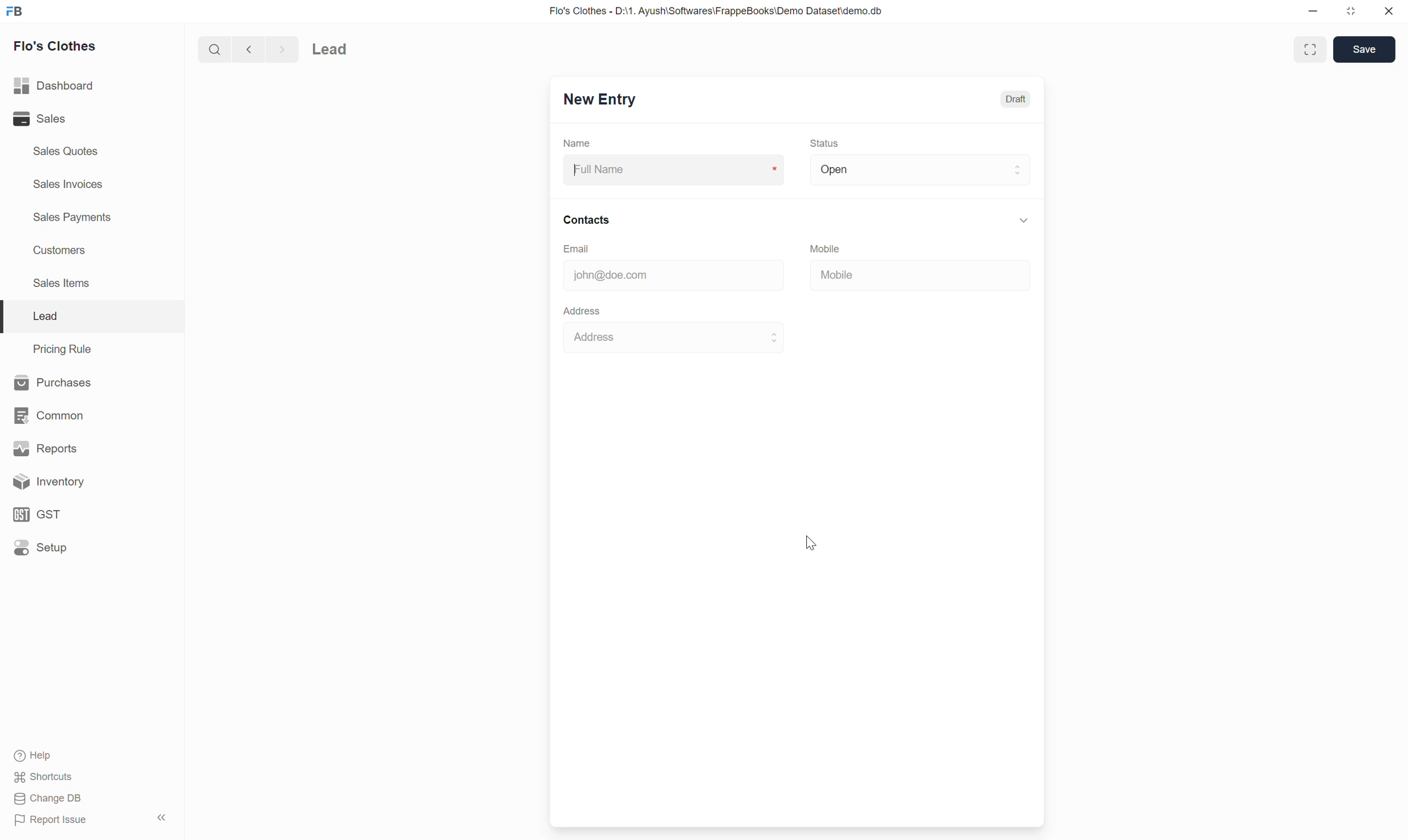 Image resolution: width=1408 pixels, height=840 pixels. I want to click on Hide sidebar, so click(161, 818).